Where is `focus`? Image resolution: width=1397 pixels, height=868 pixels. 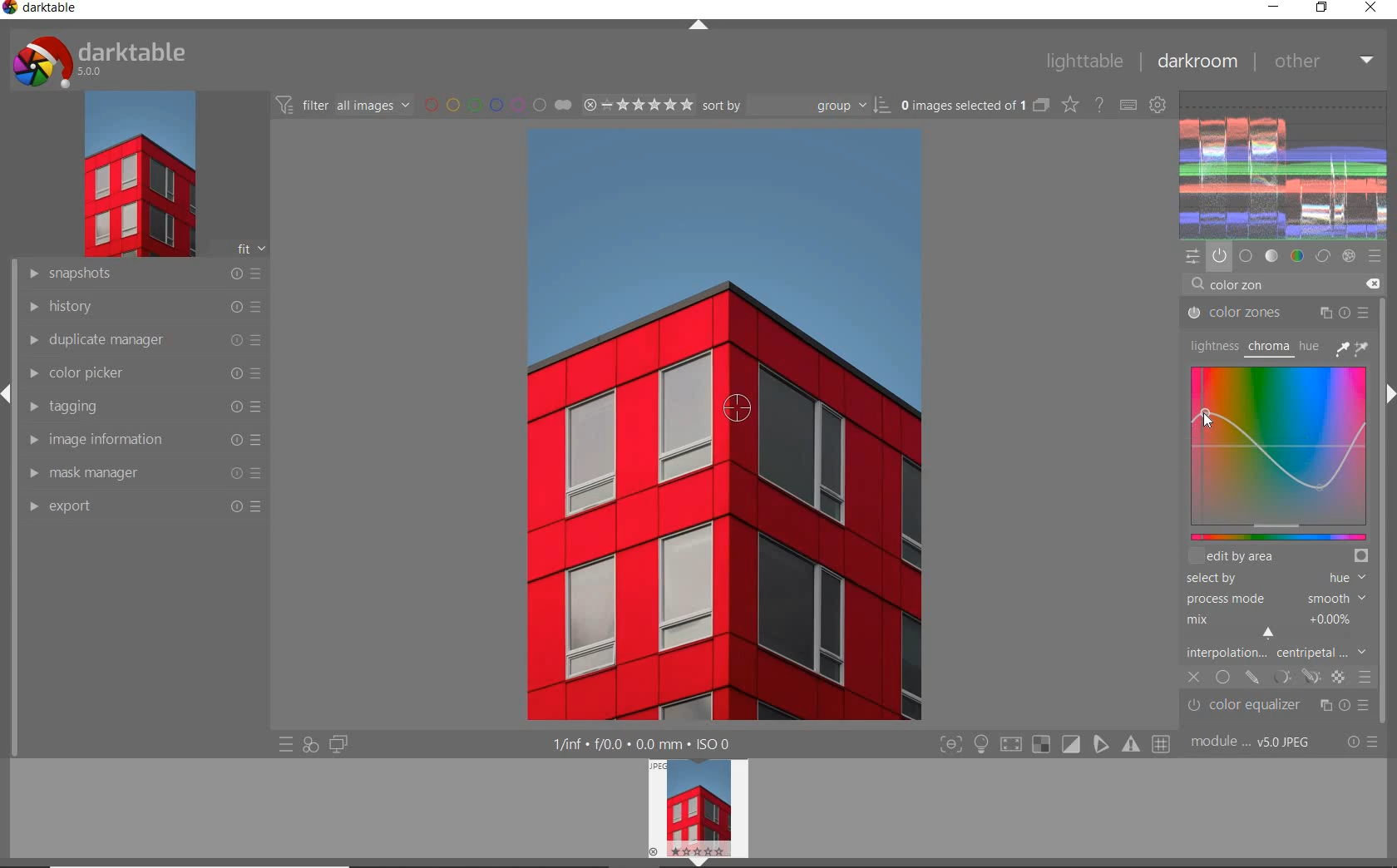 focus is located at coordinates (947, 743).